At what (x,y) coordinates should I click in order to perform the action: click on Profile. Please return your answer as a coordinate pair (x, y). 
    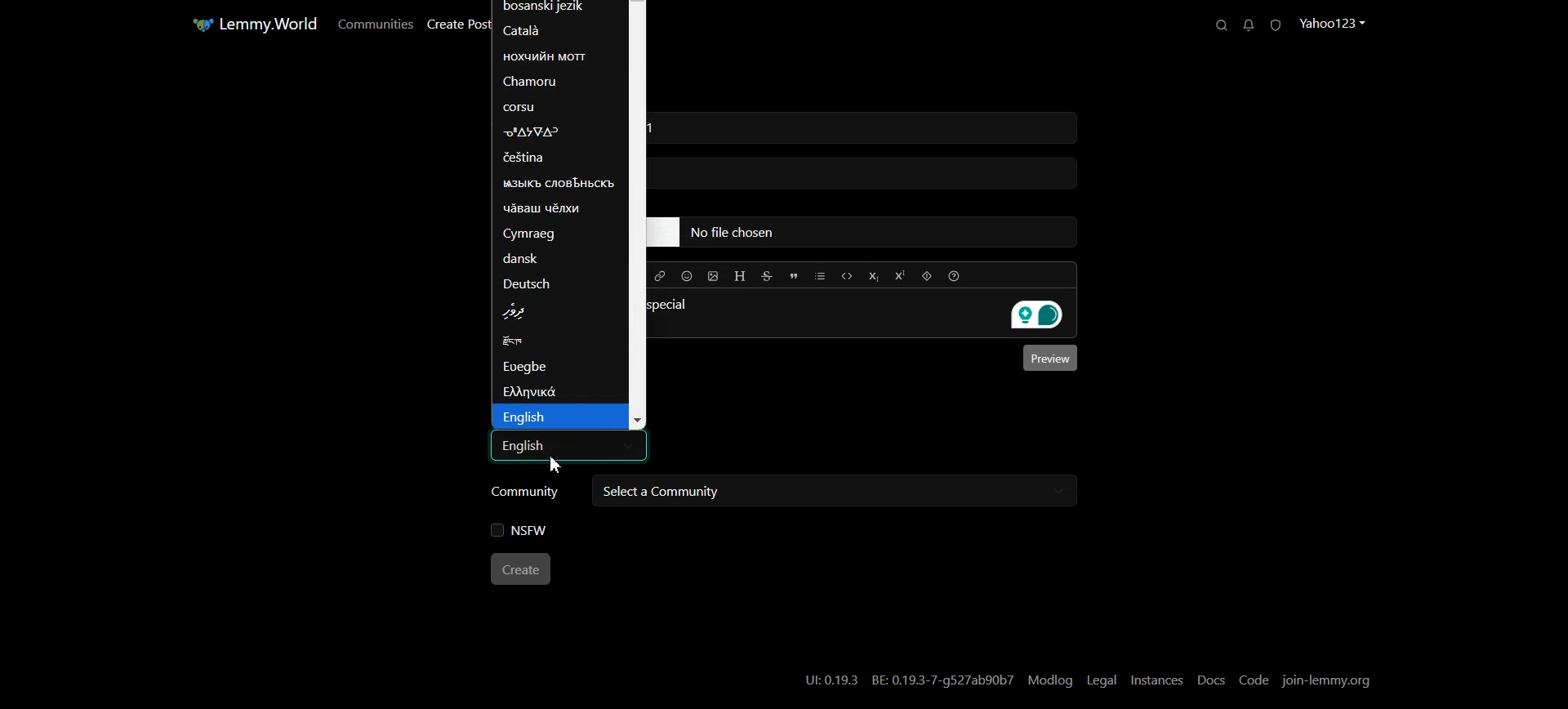
    Looking at the image, I should click on (1337, 23).